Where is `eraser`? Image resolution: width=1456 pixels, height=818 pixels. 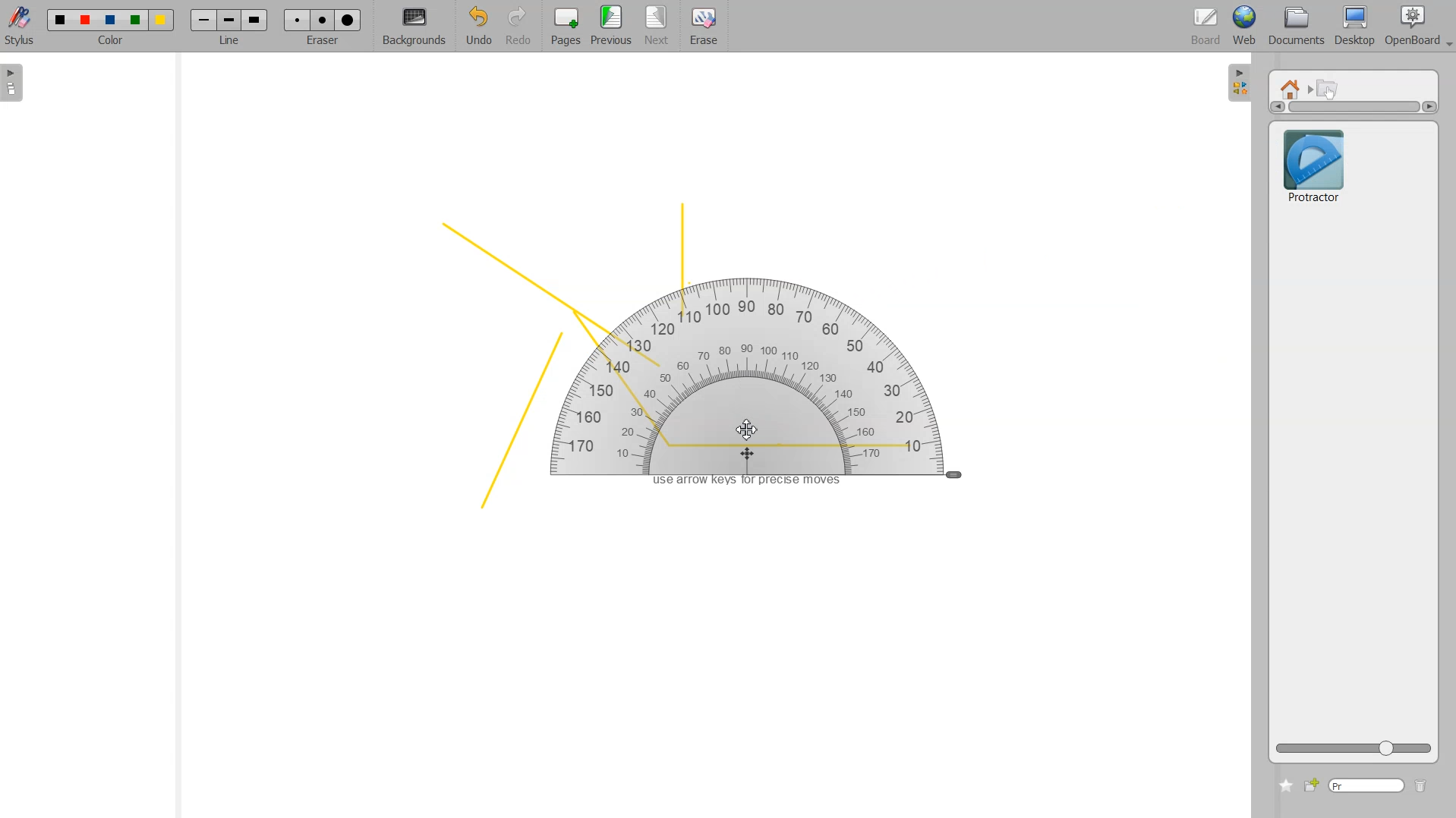
eraser is located at coordinates (320, 45).